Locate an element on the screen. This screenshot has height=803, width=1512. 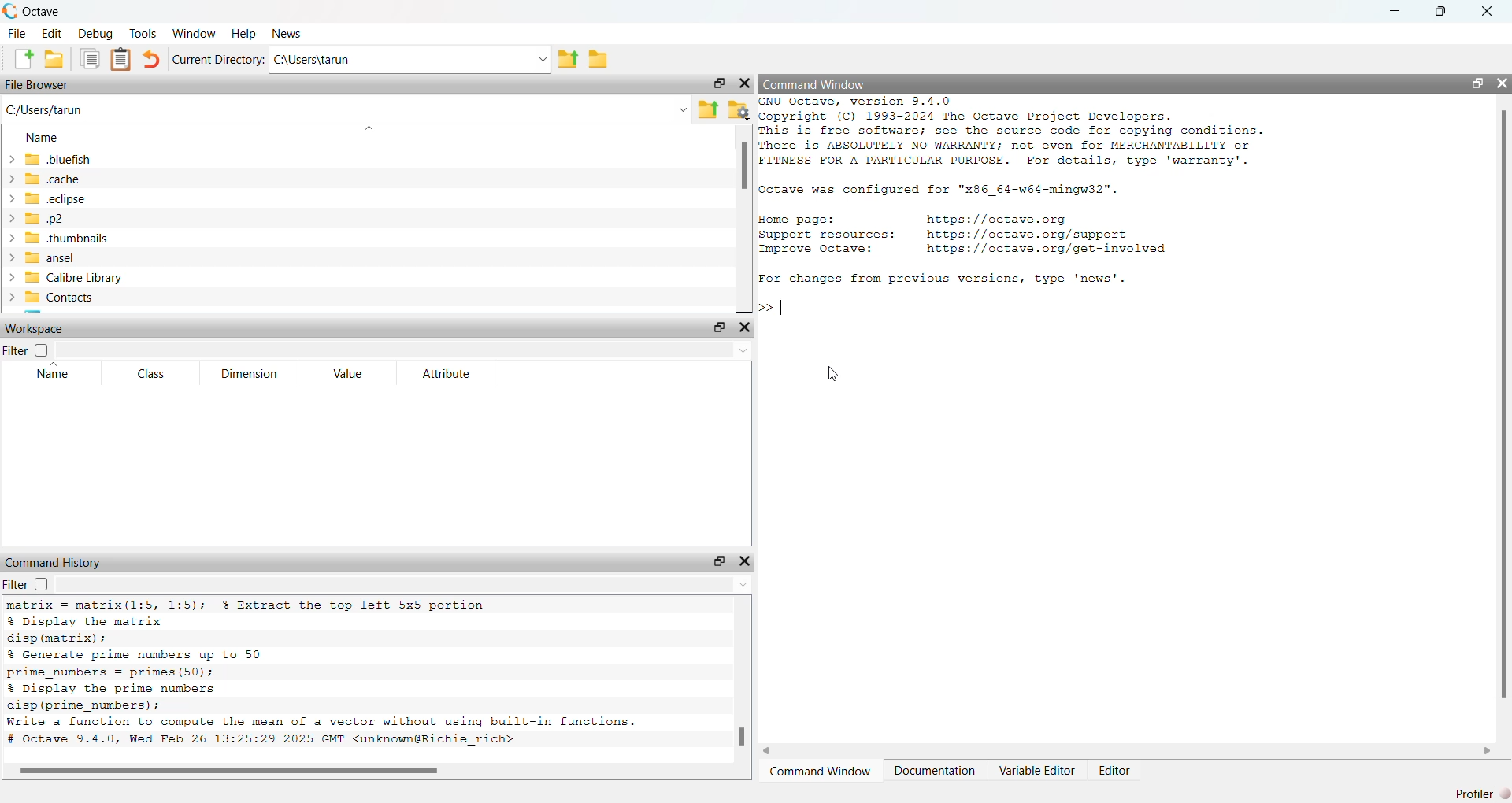
Value  is located at coordinates (349, 373).